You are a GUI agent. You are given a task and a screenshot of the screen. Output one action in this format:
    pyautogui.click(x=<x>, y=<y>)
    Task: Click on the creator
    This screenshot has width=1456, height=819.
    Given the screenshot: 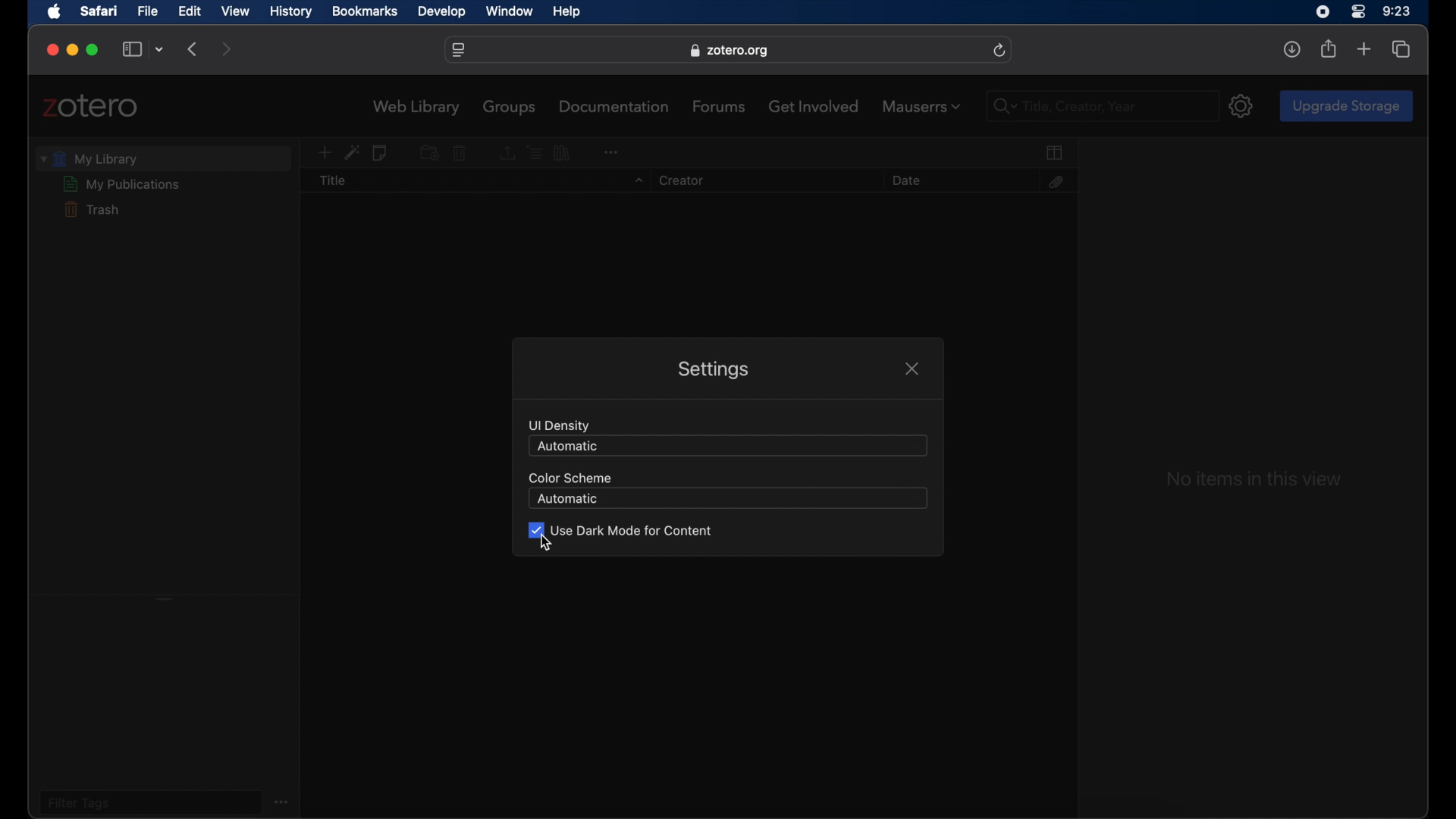 What is the action you would take?
    pyautogui.click(x=679, y=181)
    